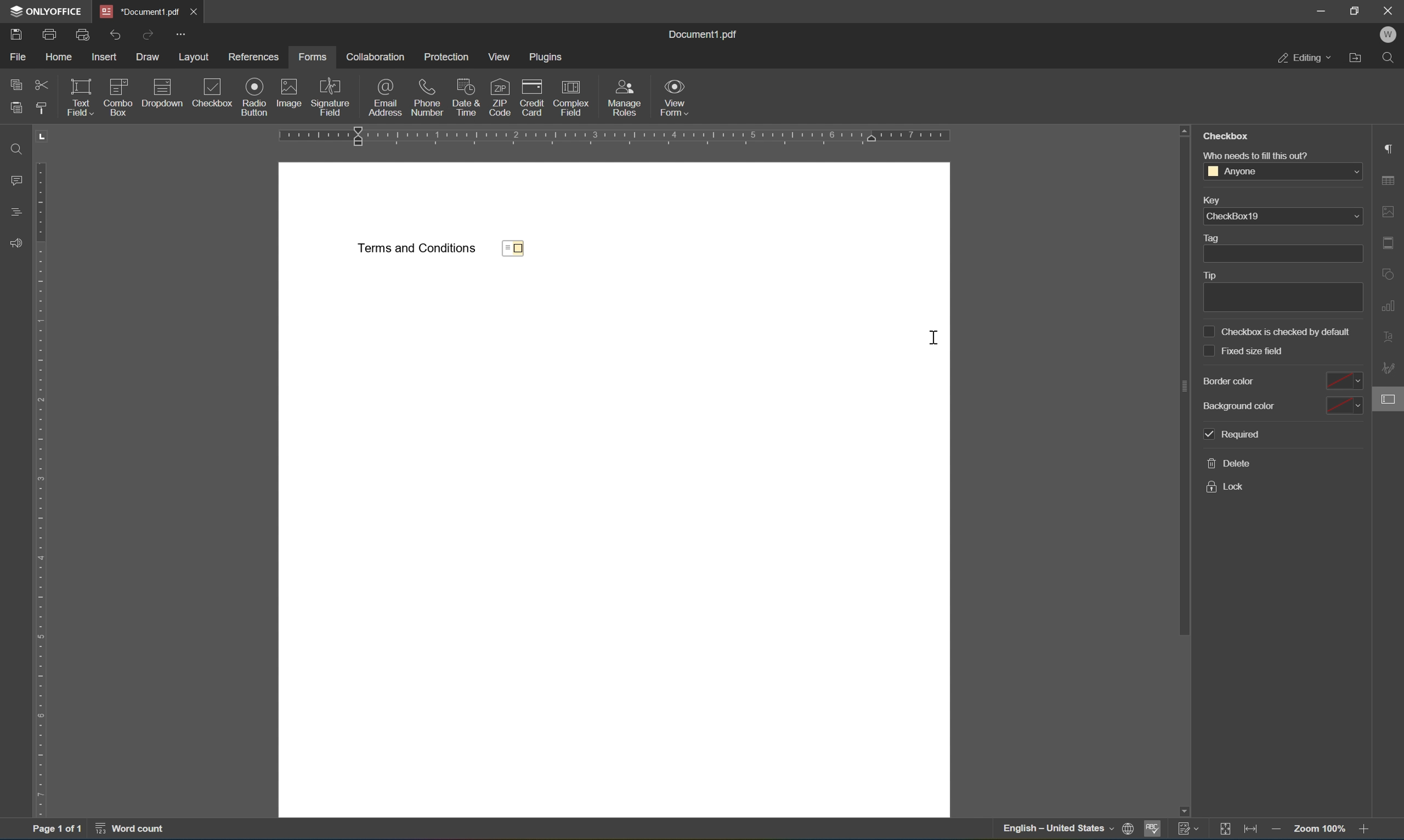 The height and width of the screenshot is (840, 1404). I want to click on signature settings, so click(1390, 368).